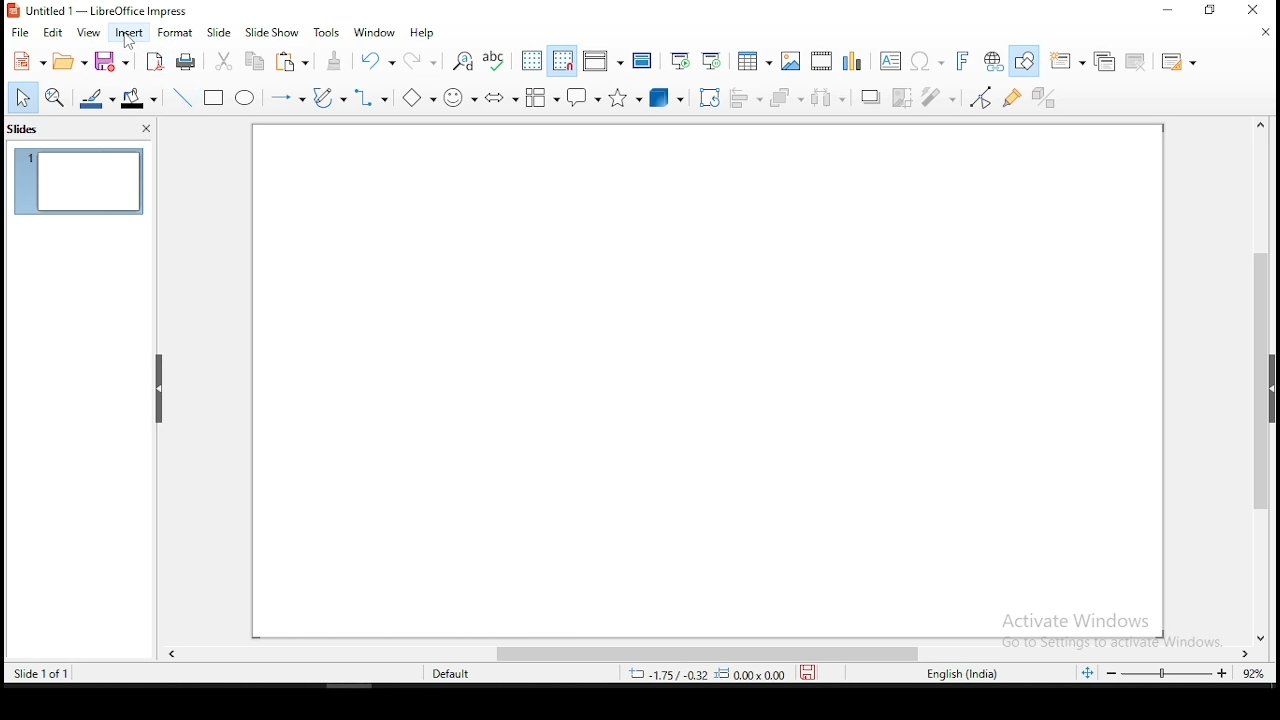 The image size is (1280, 720). I want to click on display views, so click(604, 59).